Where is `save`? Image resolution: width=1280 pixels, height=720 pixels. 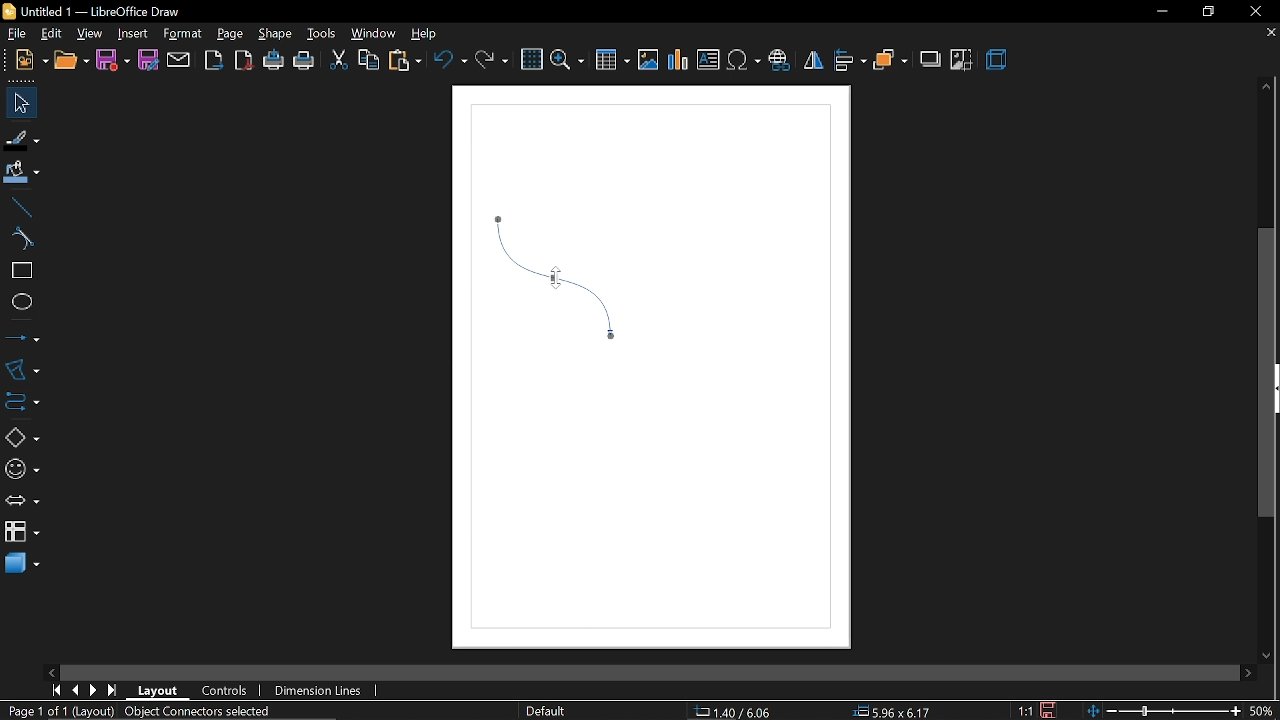
save is located at coordinates (1051, 710).